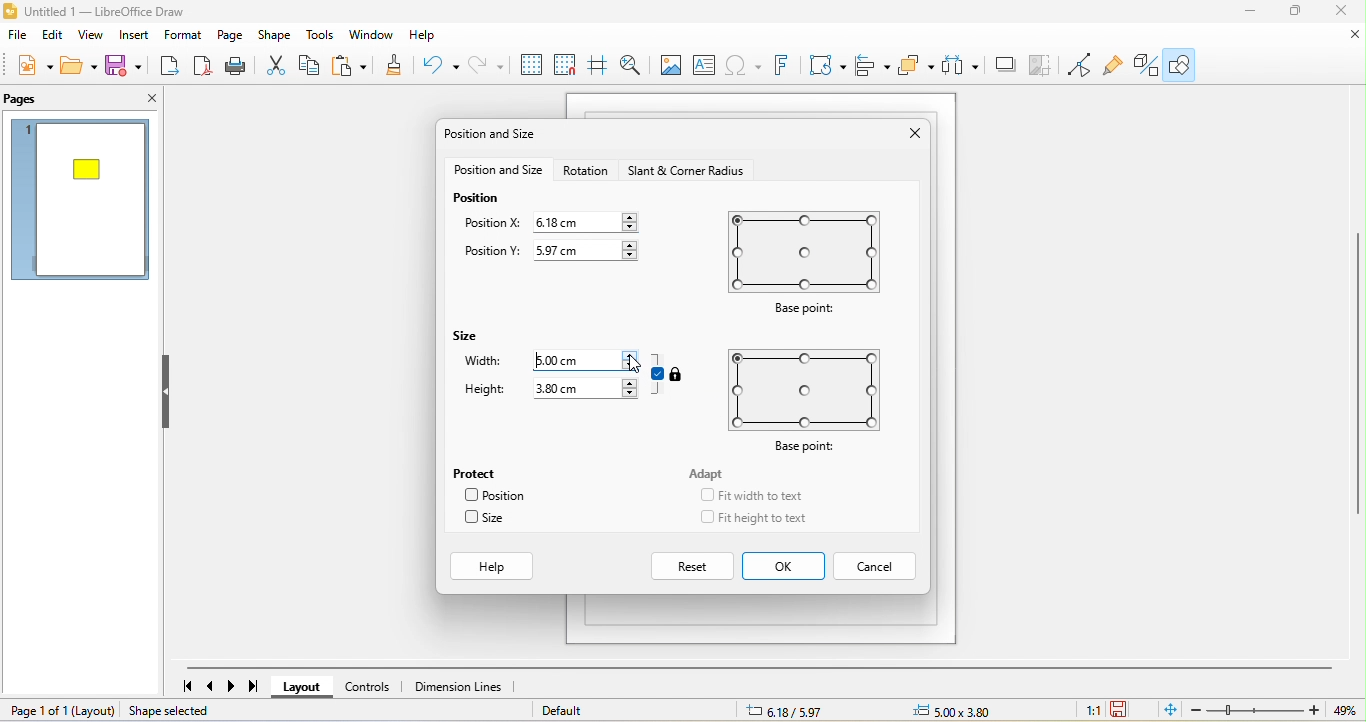 The width and height of the screenshot is (1366, 722). What do you see at coordinates (589, 172) in the screenshot?
I see `rotation` at bounding box center [589, 172].